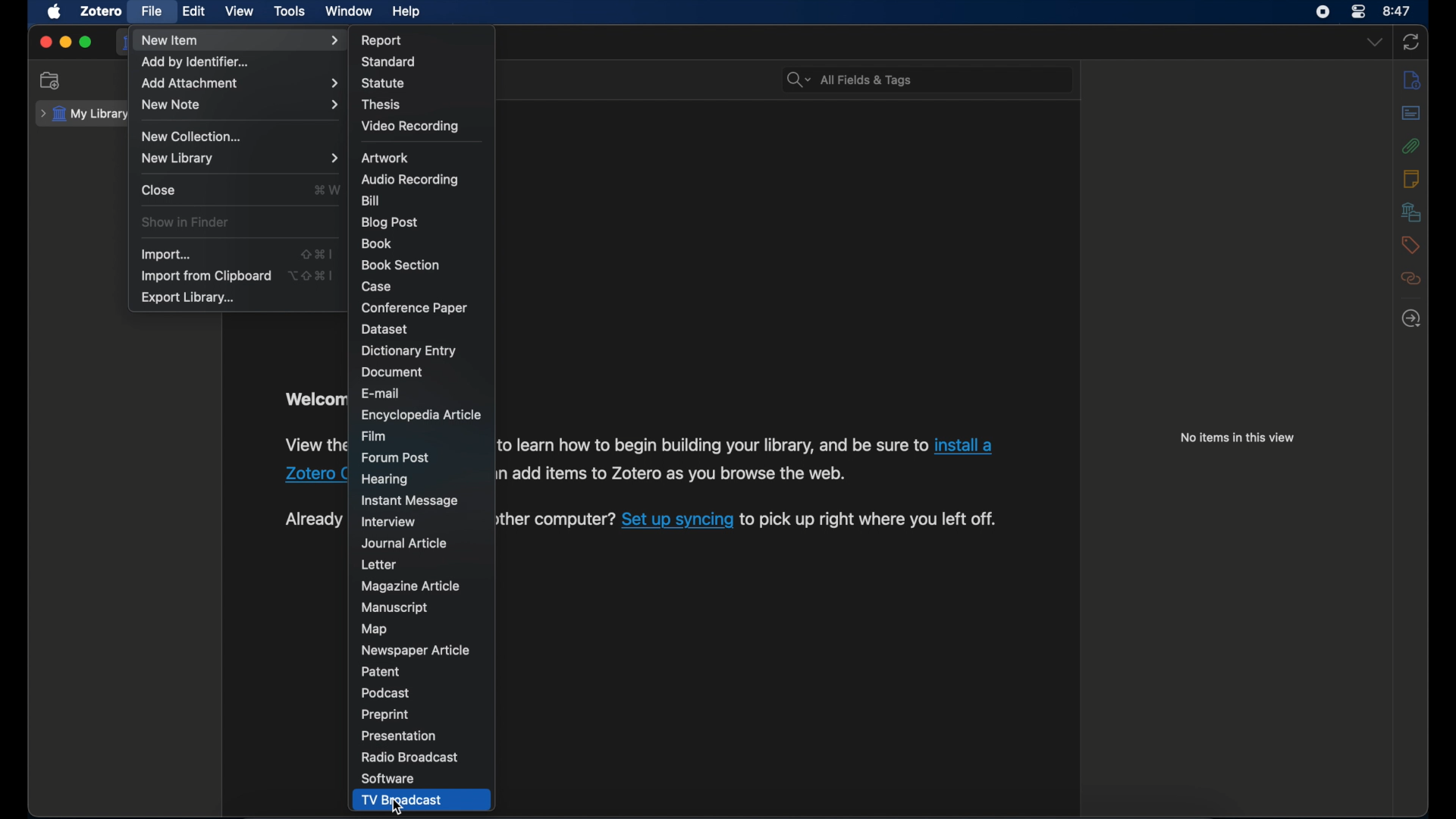 Image resolution: width=1456 pixels, height=819 pixels. What do you see at coordinates (205, 276) in the screenshot?
I see `import from clipboard` at bounding box center [205, 276].